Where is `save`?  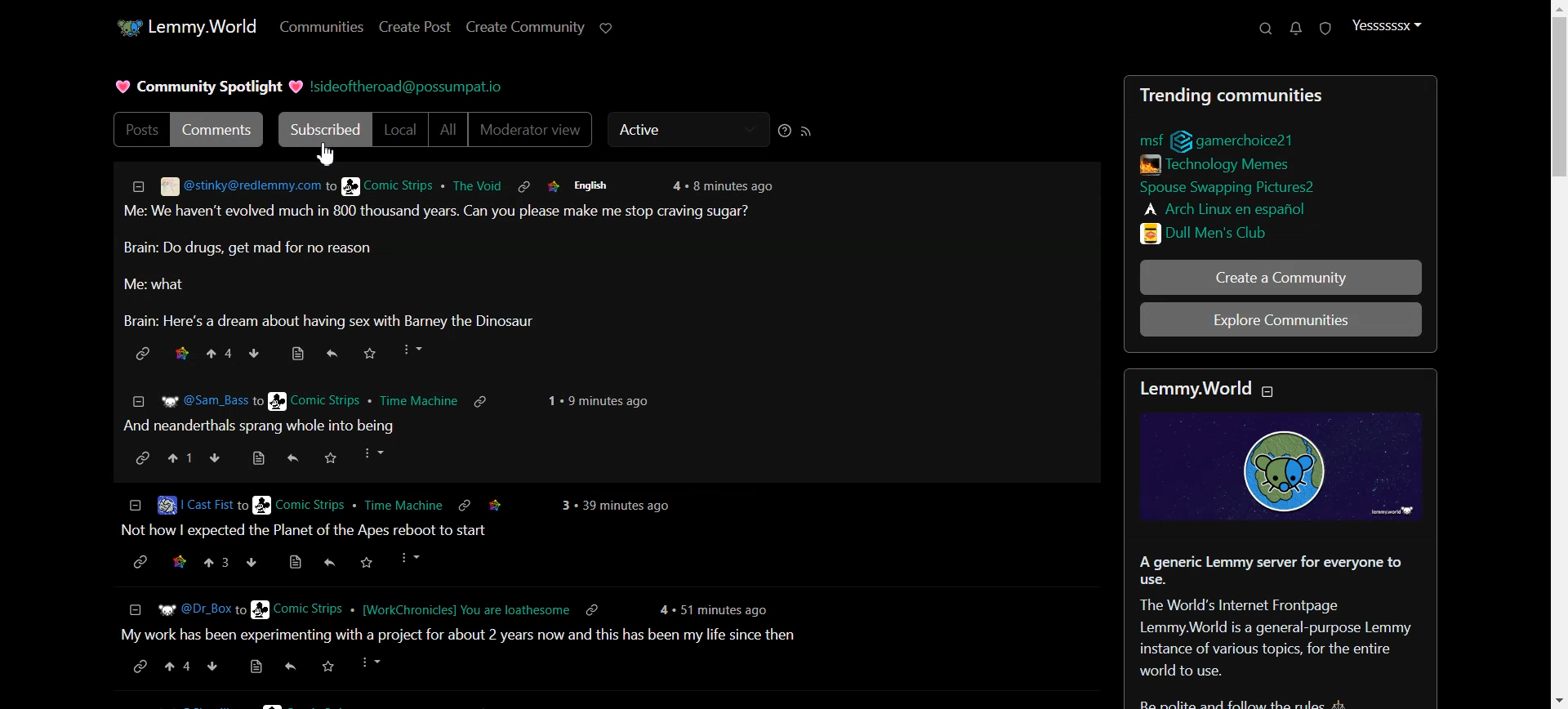 save is located at coordinates (326, 669).